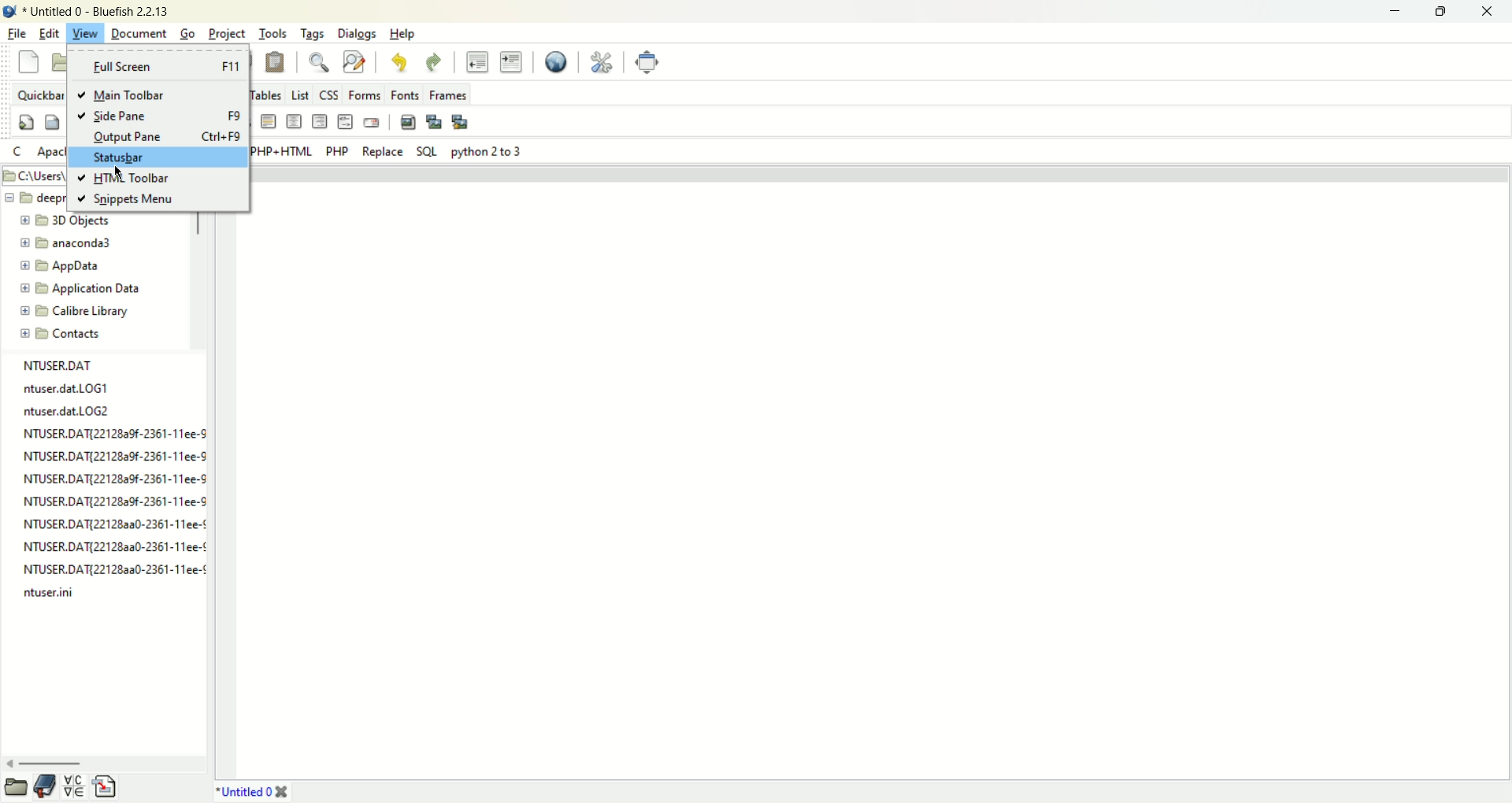 This screenshot has height=803, width=1512. What do you see at coordinates (317, 122) in the screenshot?
I see `right justify` at bounding box center [317, 122].